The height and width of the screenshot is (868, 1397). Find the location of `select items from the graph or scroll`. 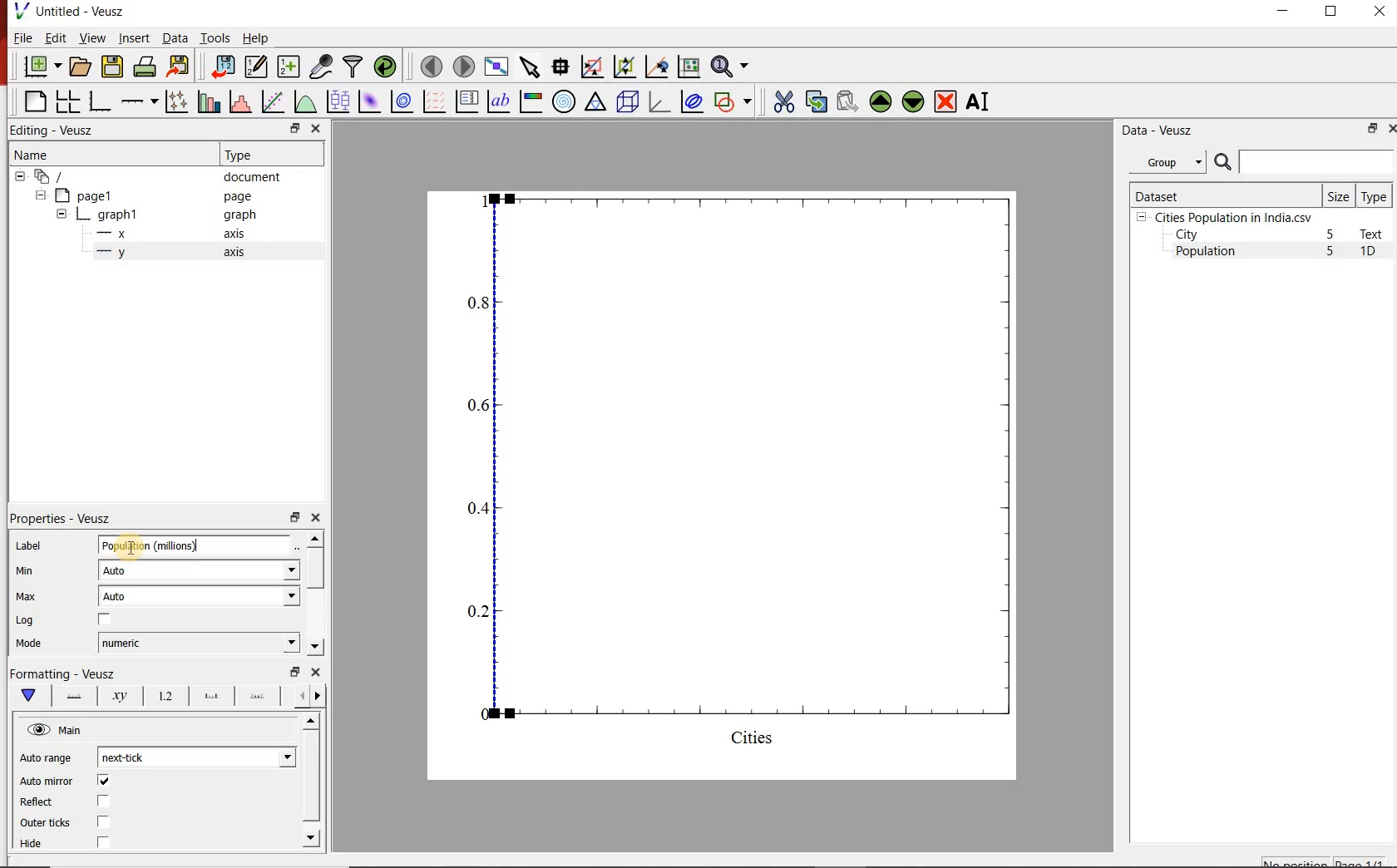

select items from the graph or scroll is located at coordinates (529, 66).